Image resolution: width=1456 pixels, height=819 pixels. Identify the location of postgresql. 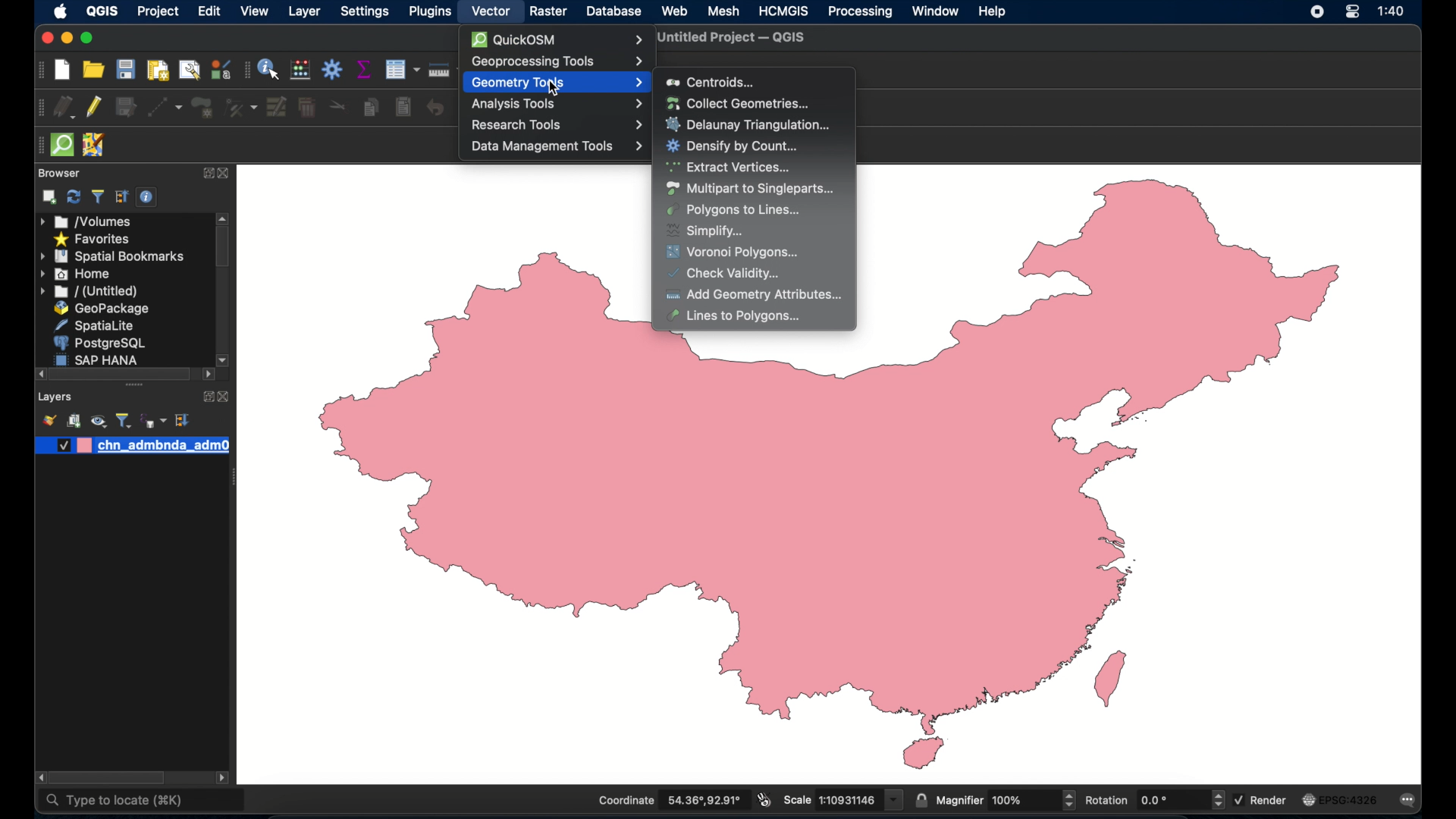
(98, 343).